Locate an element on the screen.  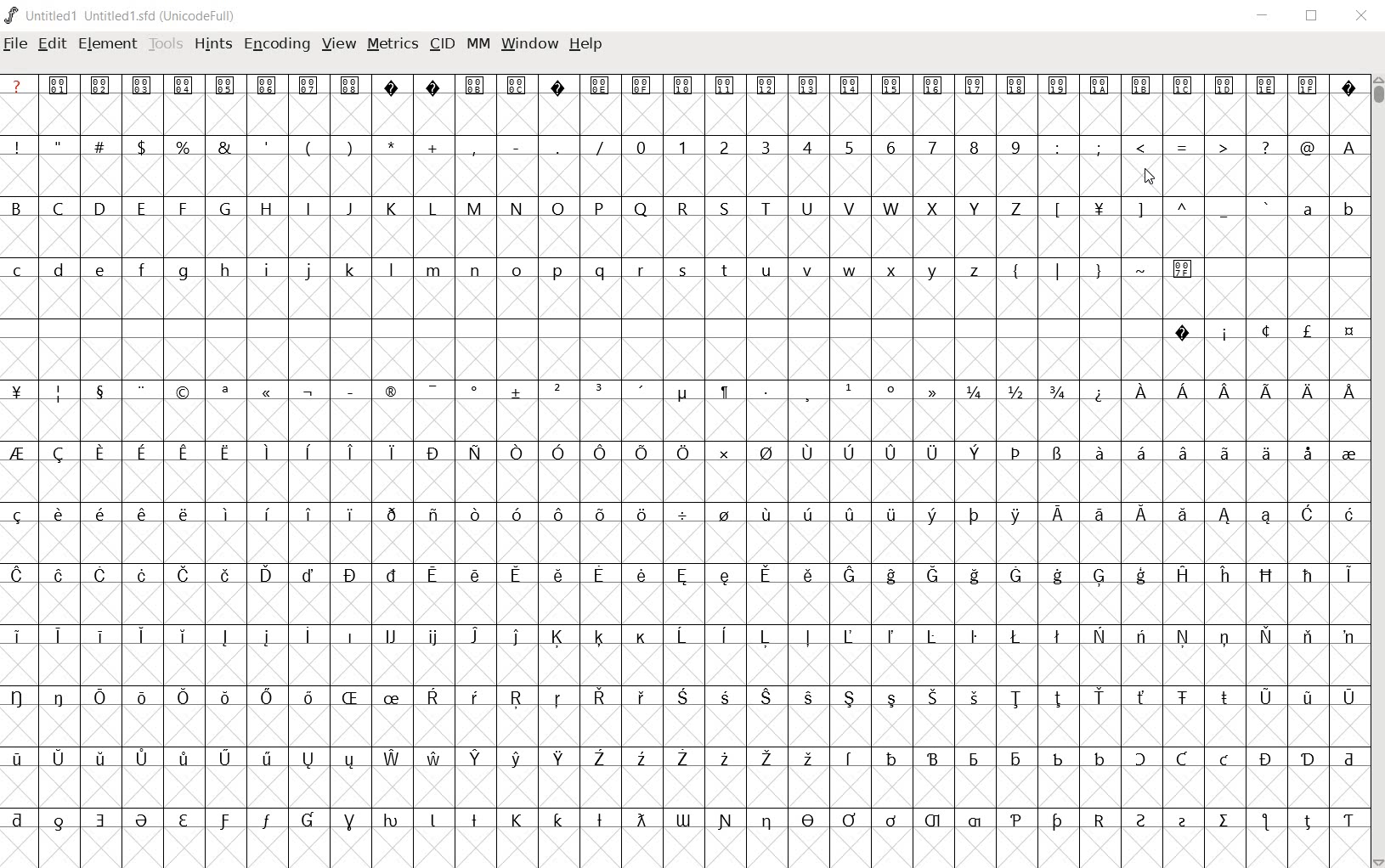
file is located at coordinates (17, 47).